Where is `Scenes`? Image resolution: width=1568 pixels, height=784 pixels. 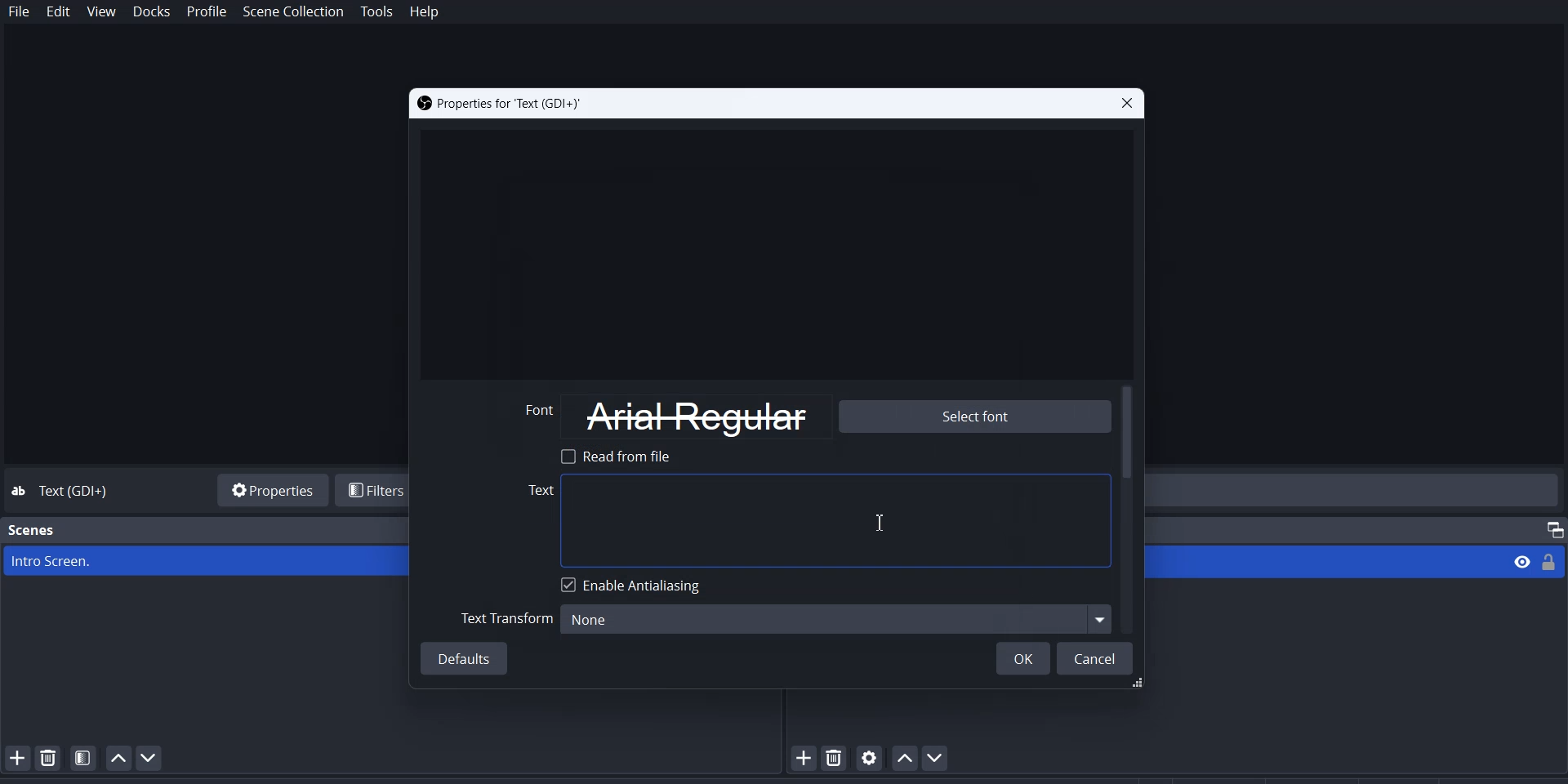 Scenes is located at coordinates (33, 530).